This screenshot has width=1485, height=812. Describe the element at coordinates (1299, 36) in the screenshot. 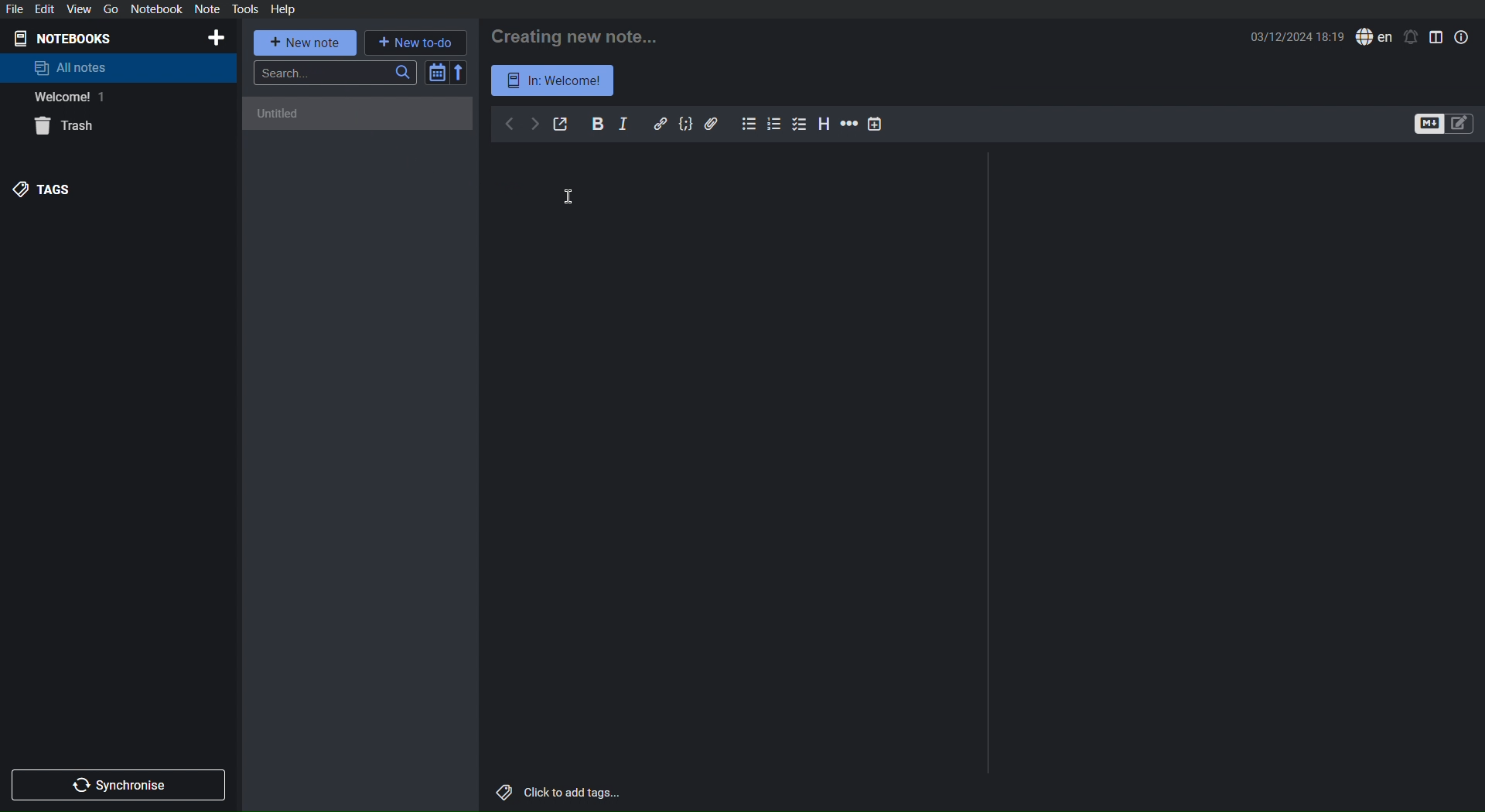

I see `Date and Time` at that location.